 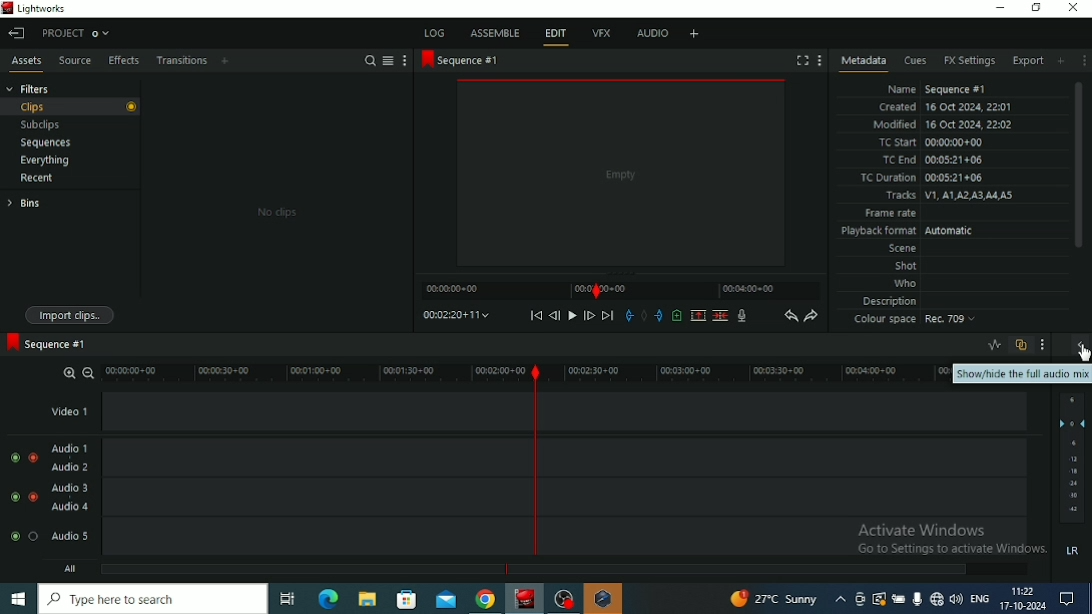 What do you see at coordinates (742, 316) in the screenshot?
I see `Record a voice-over` at bounding box center [742, 316].